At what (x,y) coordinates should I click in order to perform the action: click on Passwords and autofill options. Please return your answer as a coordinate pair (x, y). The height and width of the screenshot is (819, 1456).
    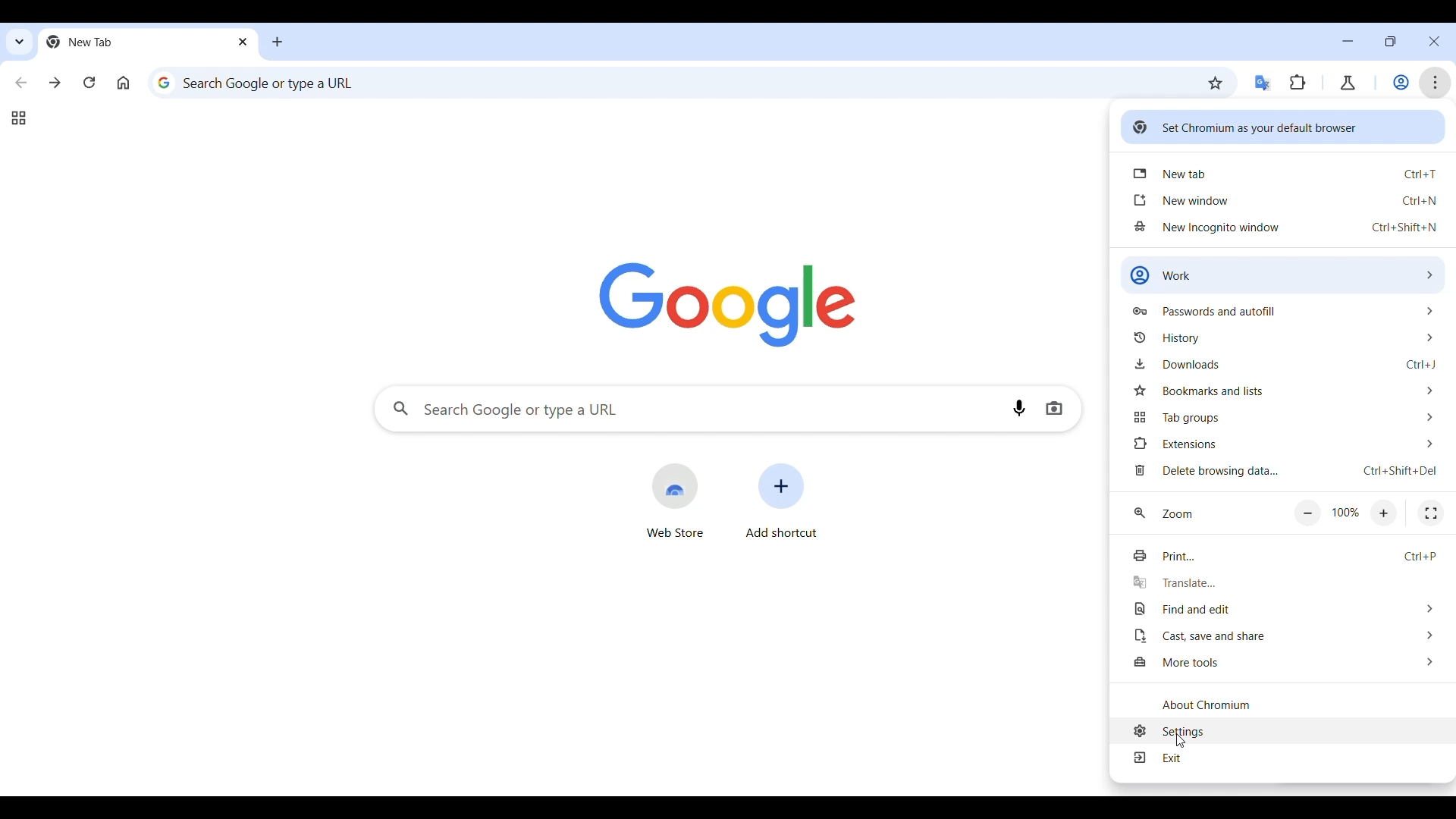
    Looking at the image, I should click on (1283, 310).